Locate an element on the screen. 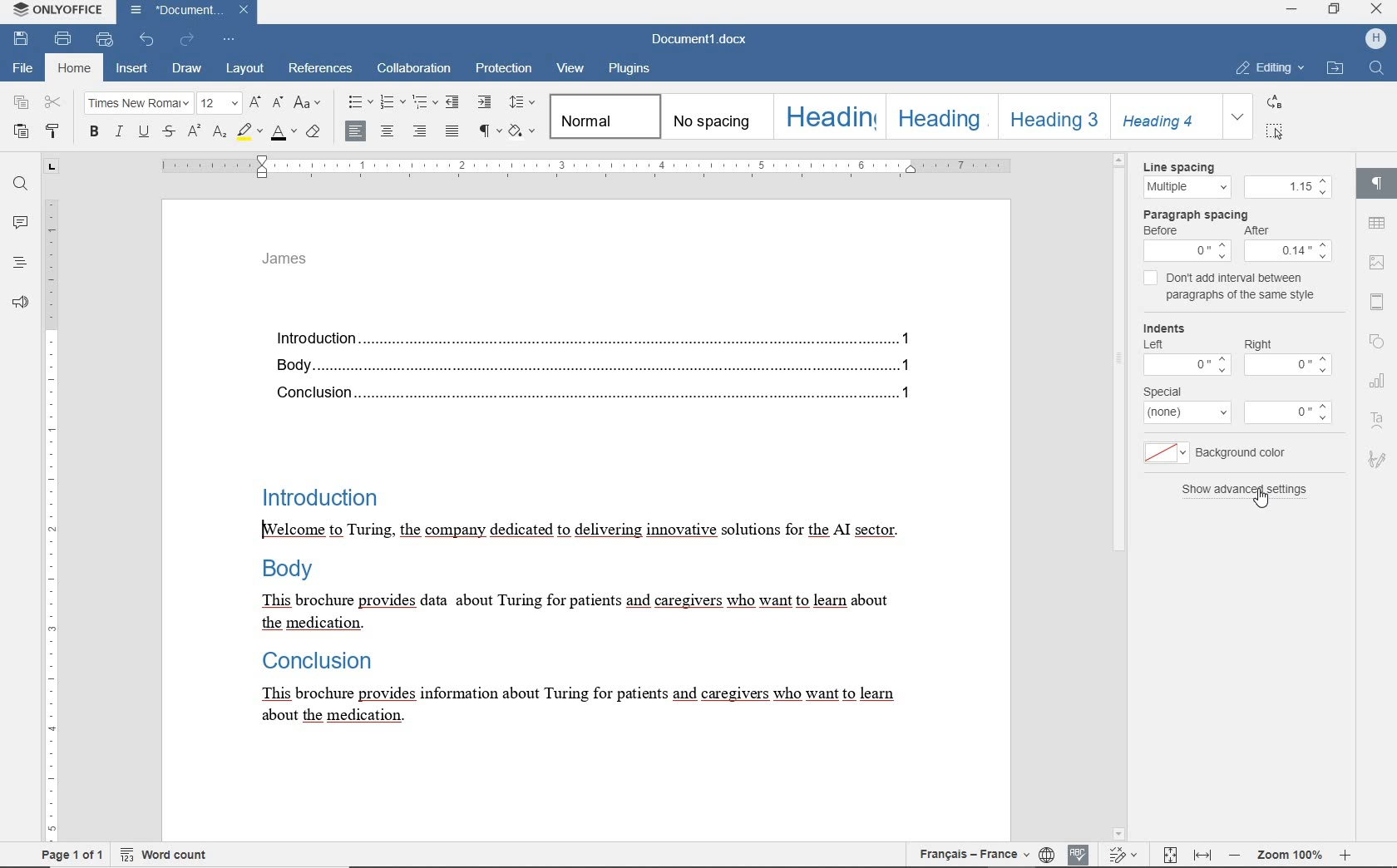 This screenshot has width=1397, height=868. heading 4 is located at coordinates (1163, 116).